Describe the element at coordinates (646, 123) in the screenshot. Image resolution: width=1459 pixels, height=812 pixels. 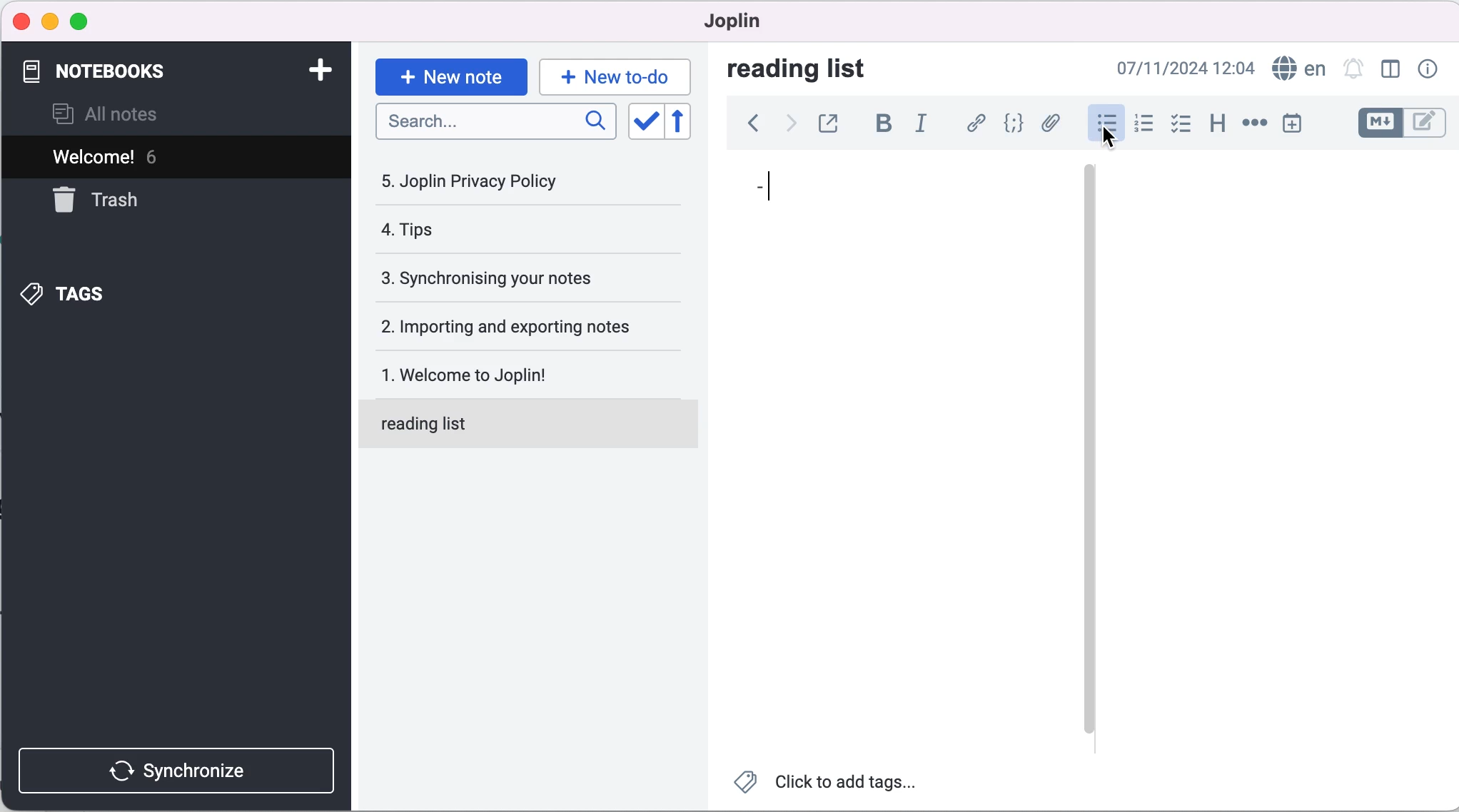
I see `toggle sort order field` at that location.